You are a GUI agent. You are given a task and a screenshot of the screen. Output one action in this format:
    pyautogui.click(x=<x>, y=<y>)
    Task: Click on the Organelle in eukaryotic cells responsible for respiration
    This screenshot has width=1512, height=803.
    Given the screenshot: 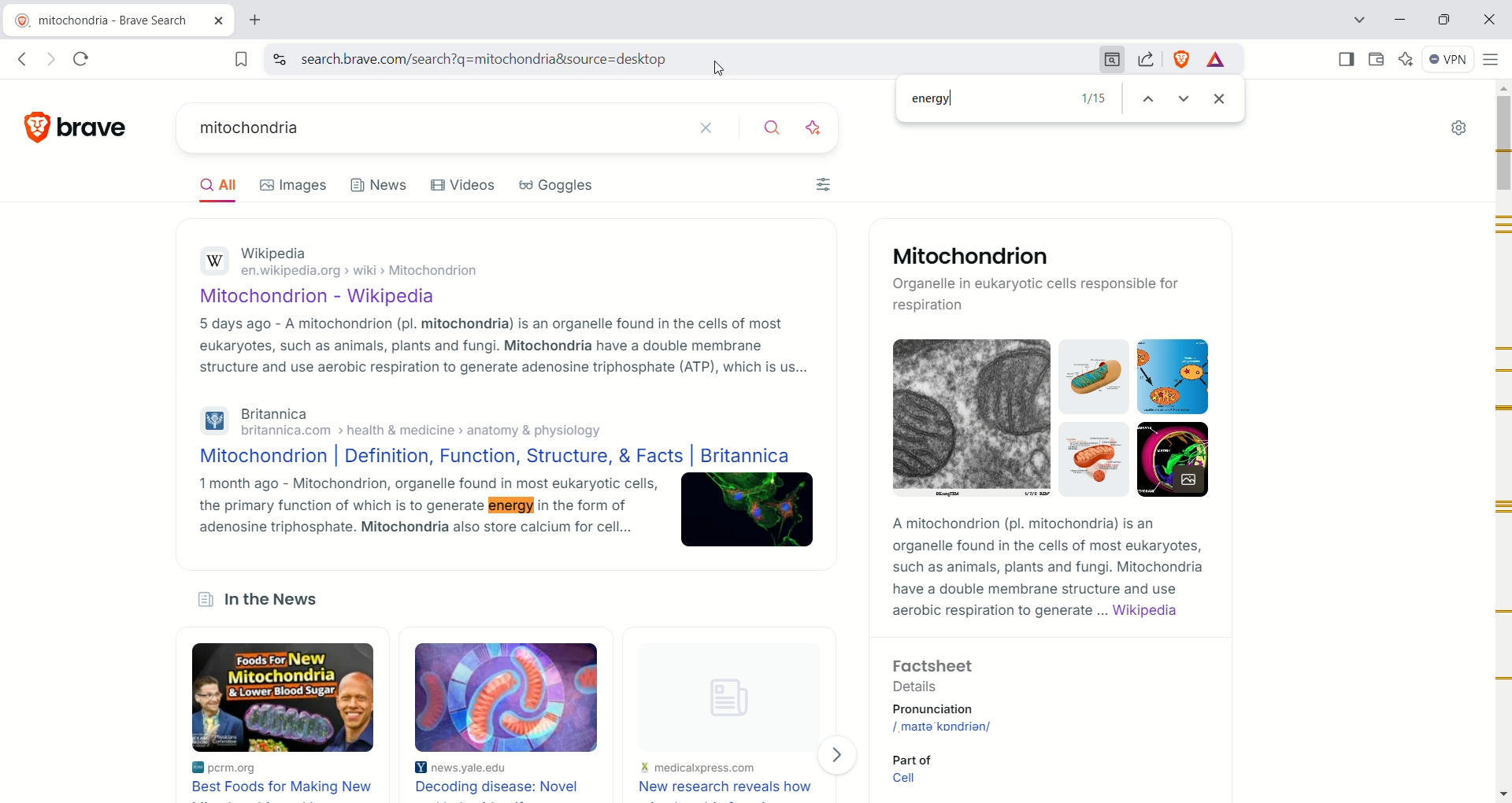 What is the action you would take?
    pyautogui.click(x=1042, y=294)
    